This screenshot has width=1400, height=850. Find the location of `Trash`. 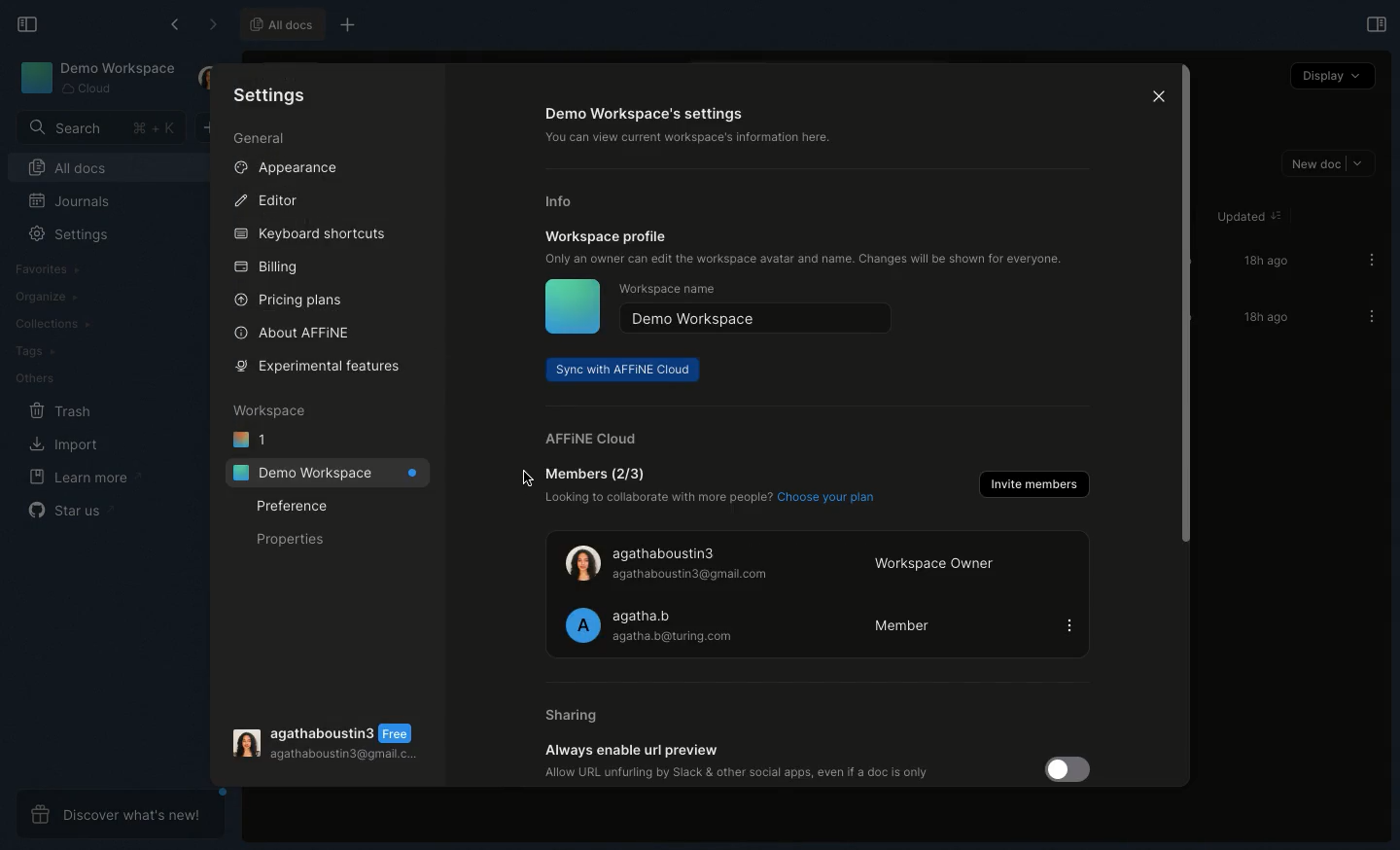

Trash is located at coordinates (60, 411).